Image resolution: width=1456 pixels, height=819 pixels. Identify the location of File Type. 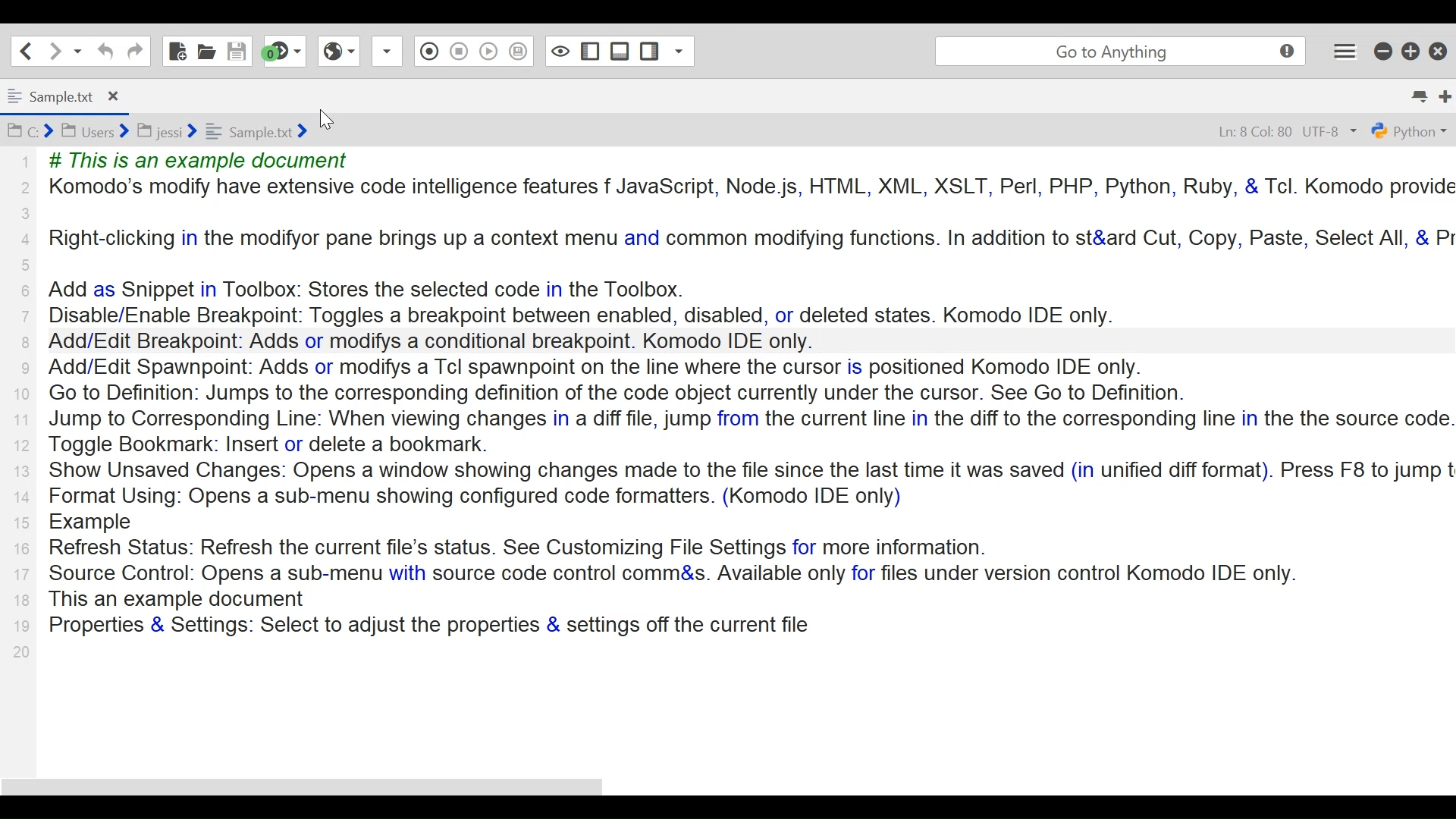
(1411, 132).